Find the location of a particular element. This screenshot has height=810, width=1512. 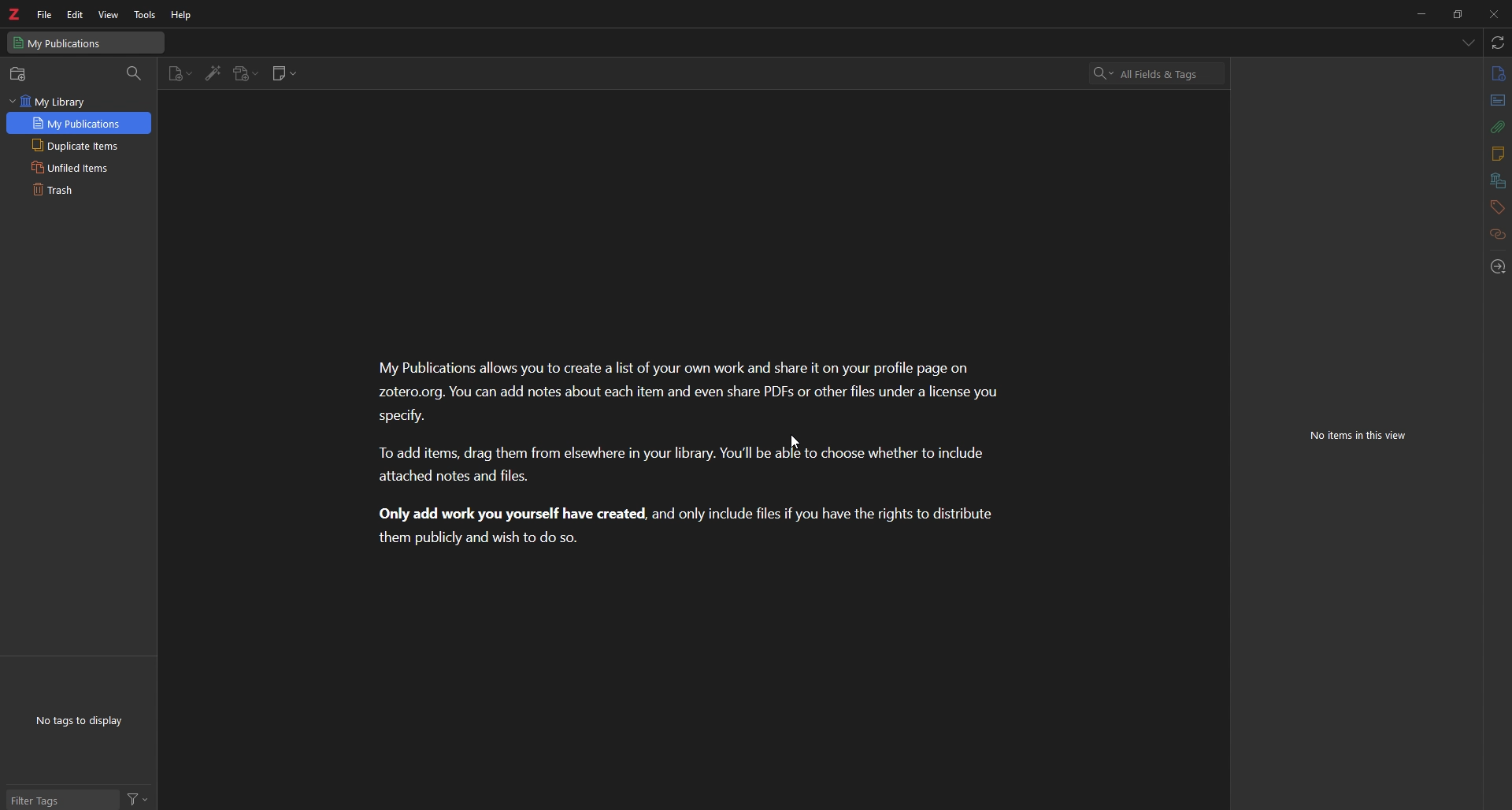

My Publications is located at coordinates (76, 146).